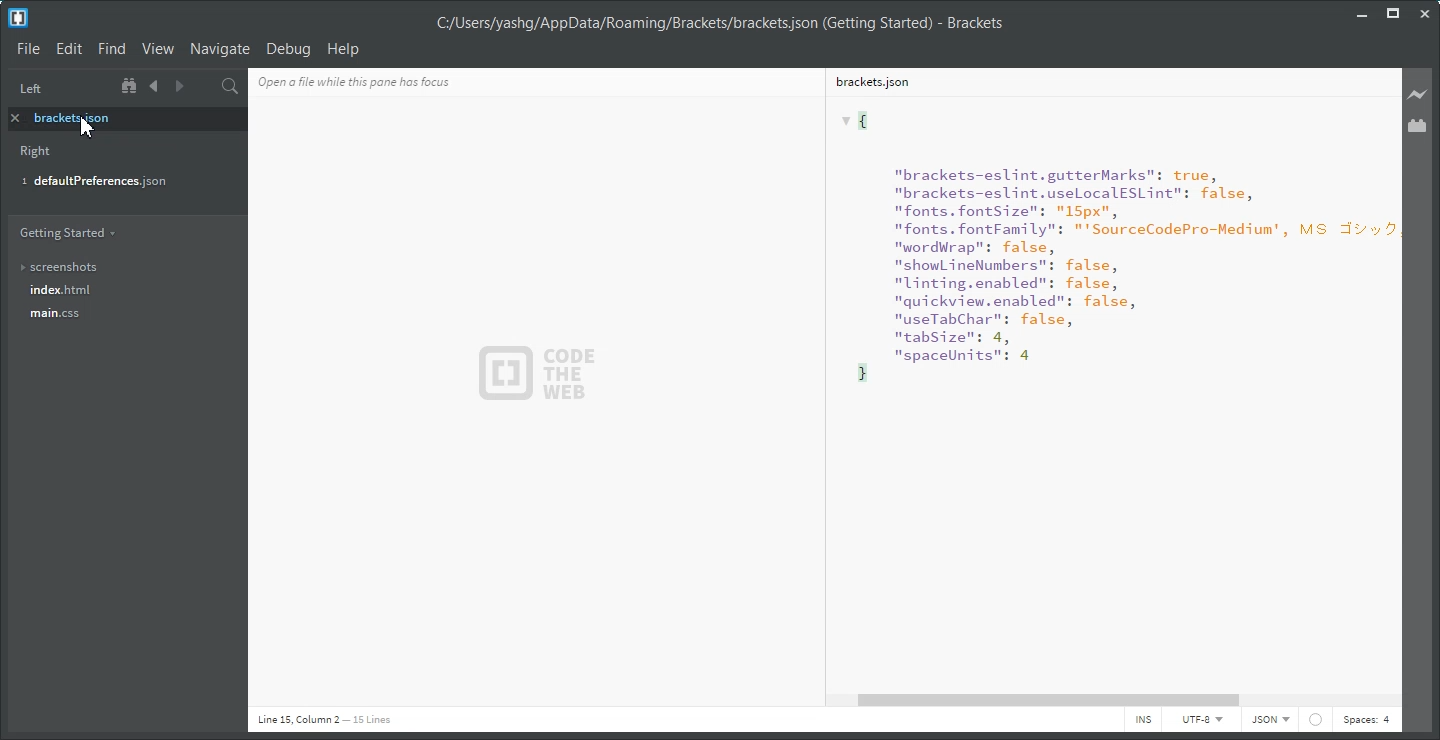 The width and height of the screenshot is (1440, 740). Describe the element at coordinates (1269, 721) in the screenshot. I see `HTML` at that location.